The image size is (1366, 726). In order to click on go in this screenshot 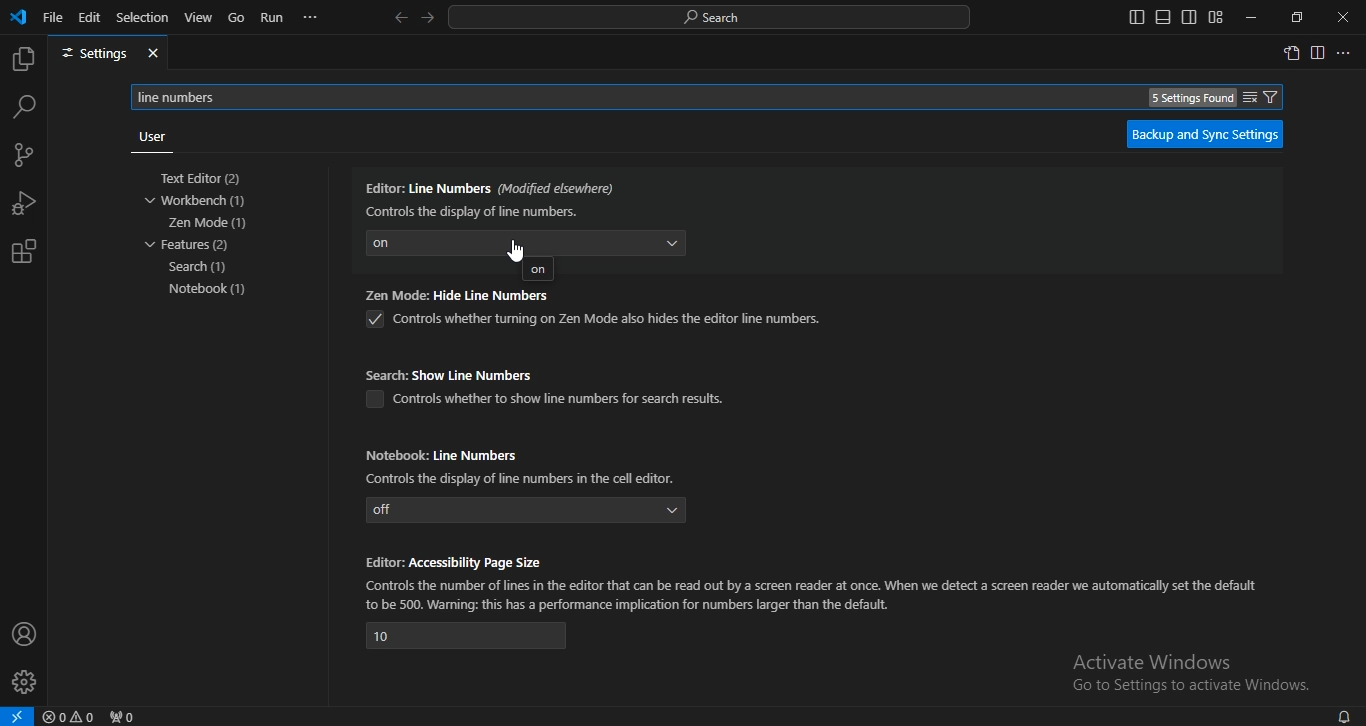, I will do `click(237, 19)`.